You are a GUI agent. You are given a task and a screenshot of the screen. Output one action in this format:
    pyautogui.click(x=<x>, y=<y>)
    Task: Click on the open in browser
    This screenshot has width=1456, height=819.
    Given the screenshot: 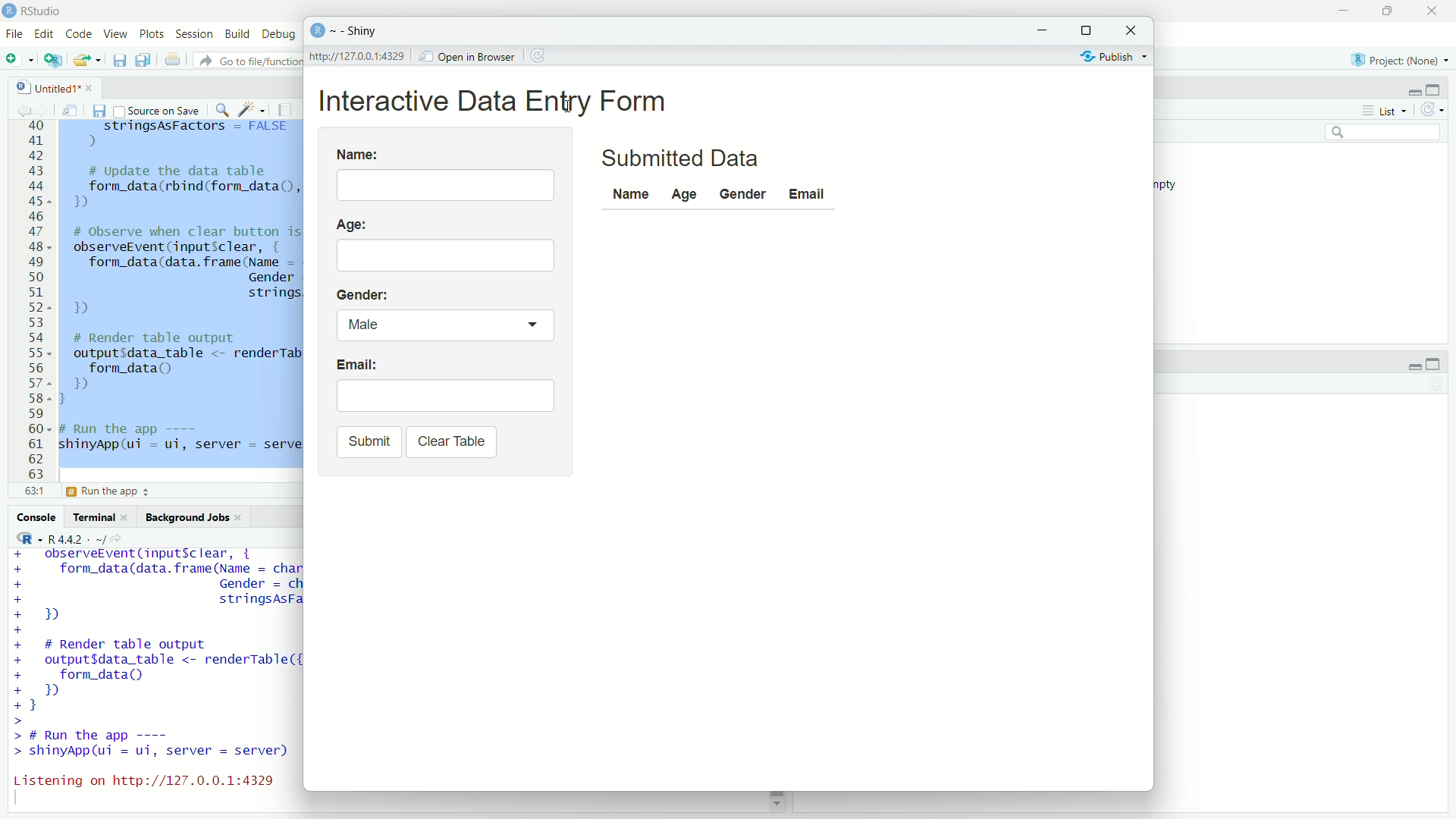 What is the action you would take?
    pyautogui.click(x=468, y=55)
    